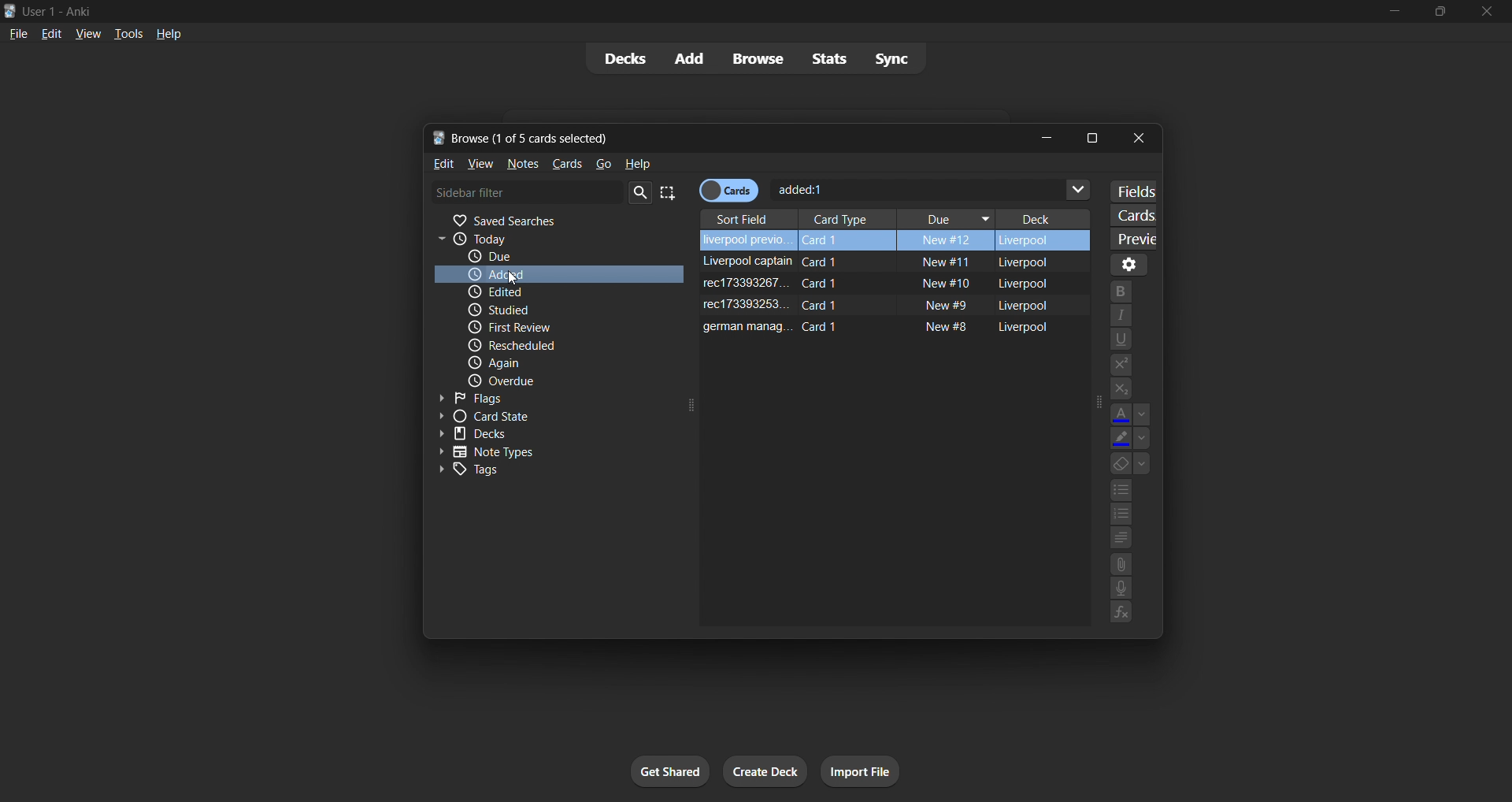 The width and height of the screenshot is (1512, 802). I want to click on help, so click(170, 35).